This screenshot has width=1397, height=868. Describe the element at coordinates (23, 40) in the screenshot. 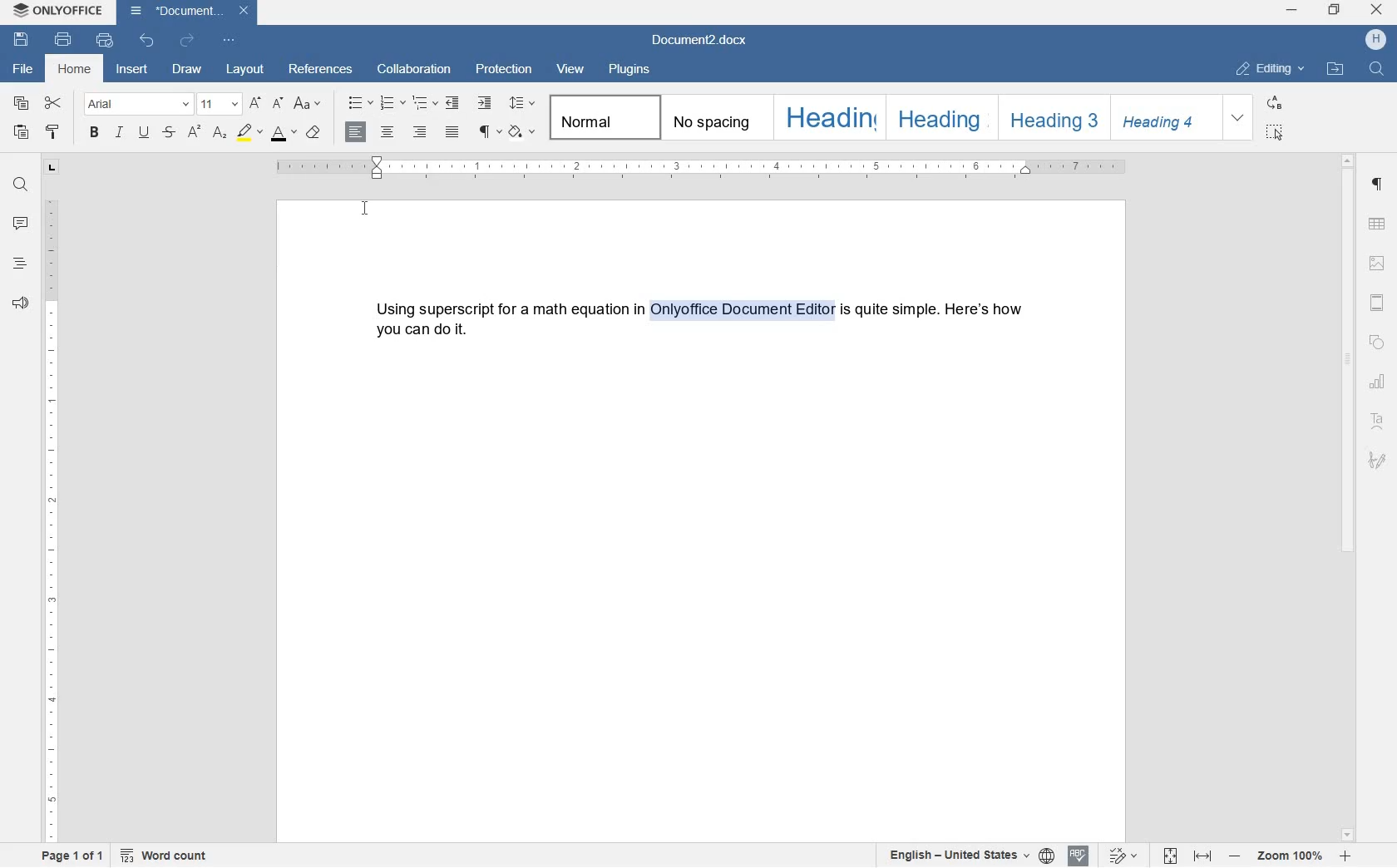

I see `save` at that location.